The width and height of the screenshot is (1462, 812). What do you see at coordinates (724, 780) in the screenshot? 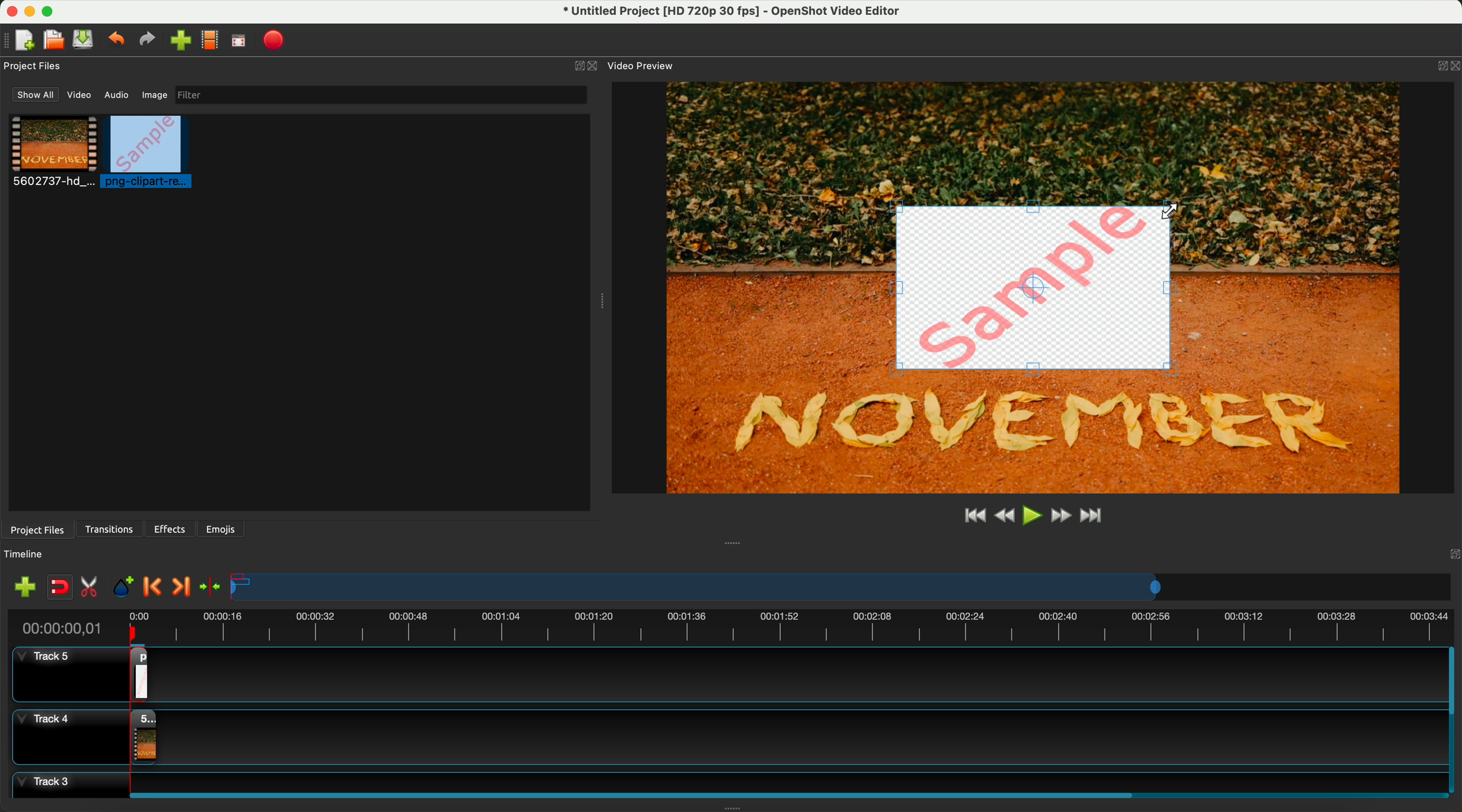
I see `track 3` at bounding box center [724, 780].